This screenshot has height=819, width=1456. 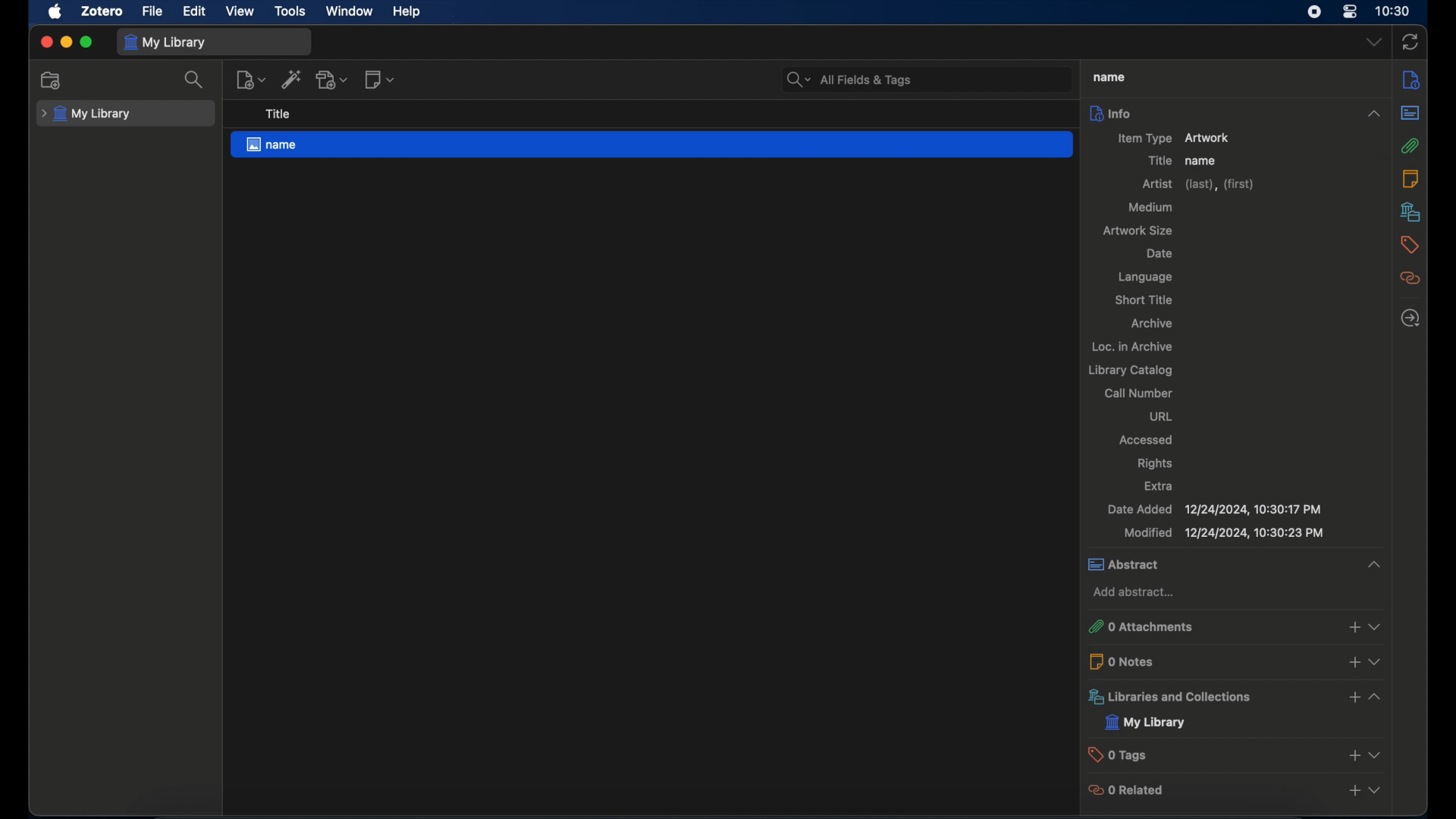 I want to click on url, so click(x=1161, y=417).